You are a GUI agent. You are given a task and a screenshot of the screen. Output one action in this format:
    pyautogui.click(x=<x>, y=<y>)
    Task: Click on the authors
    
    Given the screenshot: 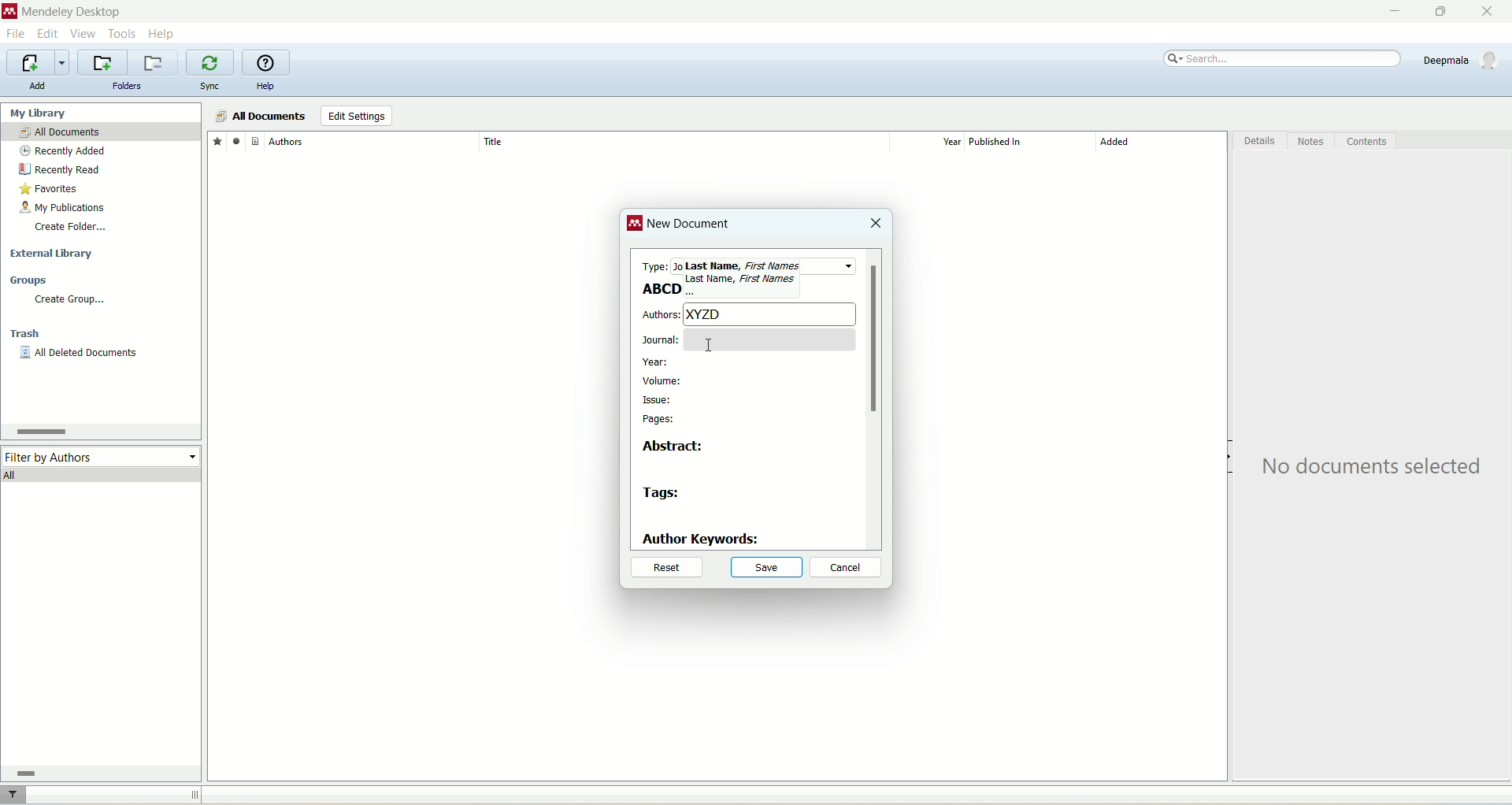 What is the action you would take?
    pyautogui.click(x=660, y=315)
    